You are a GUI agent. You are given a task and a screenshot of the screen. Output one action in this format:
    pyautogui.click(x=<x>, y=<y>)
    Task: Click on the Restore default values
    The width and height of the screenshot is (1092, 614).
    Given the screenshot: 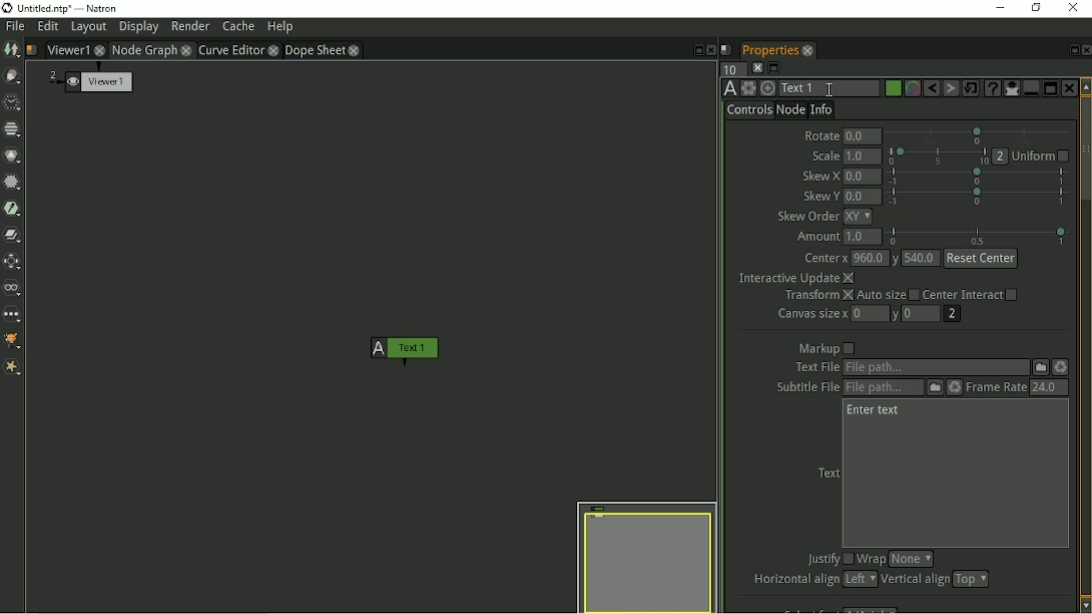 What is the action you would take?
    pyautogui.click(x=972, y=88)
    